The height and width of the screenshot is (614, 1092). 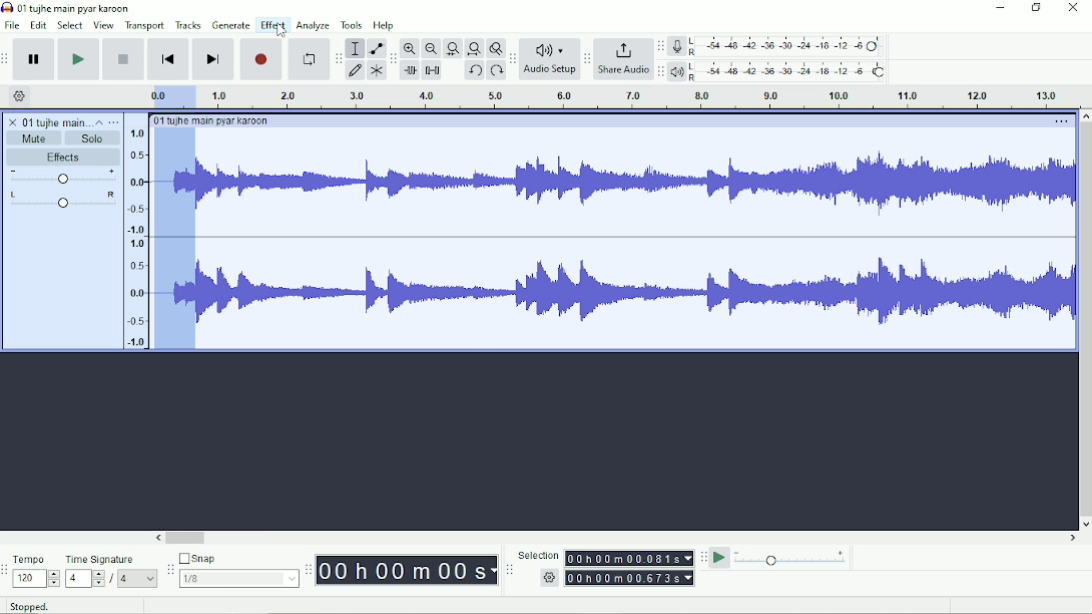 What do you see at coordinates (791, 560) in the screenshot?
I see `Playback speed` at bounding box center [791, 560].